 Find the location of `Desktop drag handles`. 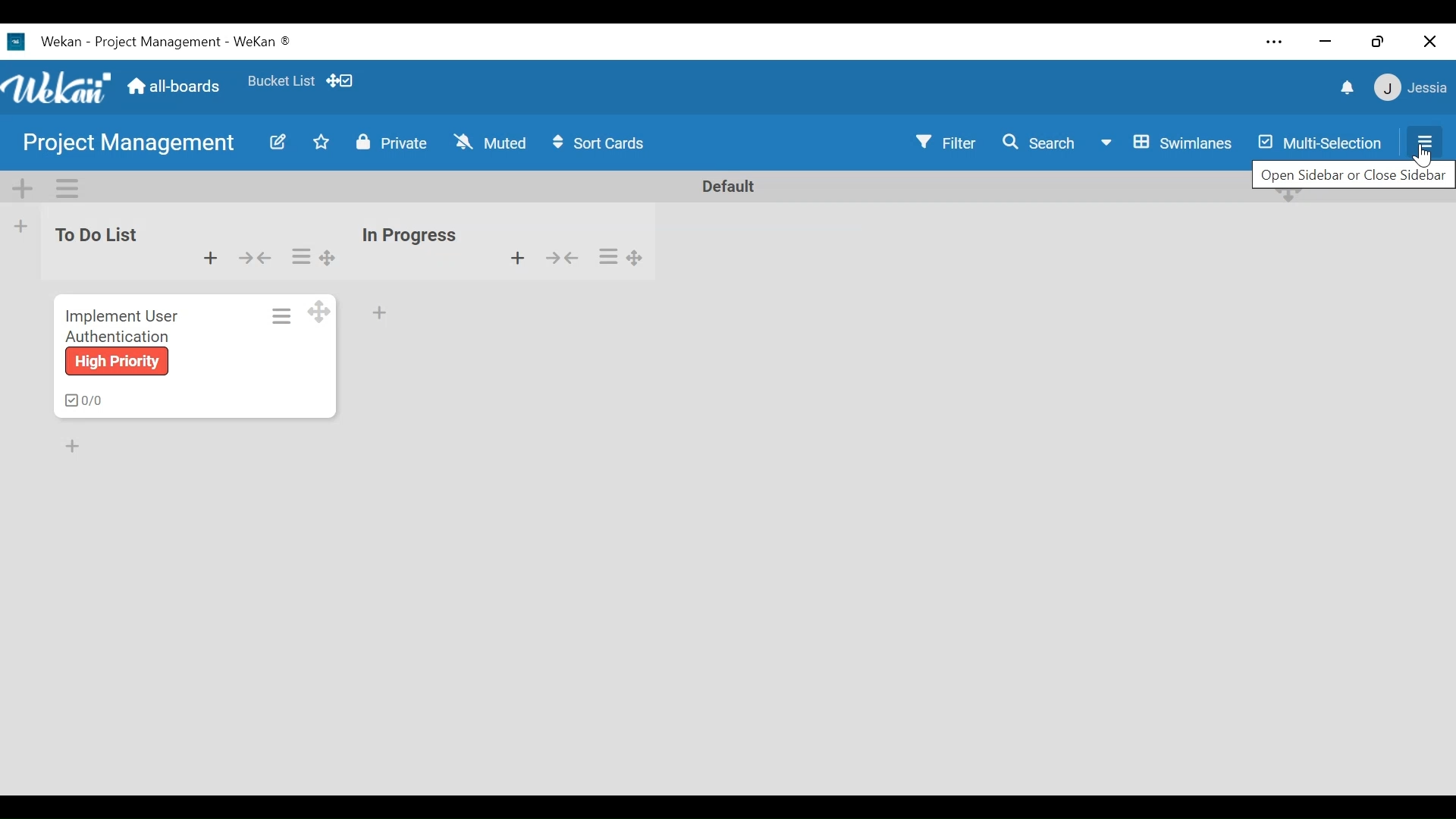

Desktop drag handles is located at coordinates (635, 259).